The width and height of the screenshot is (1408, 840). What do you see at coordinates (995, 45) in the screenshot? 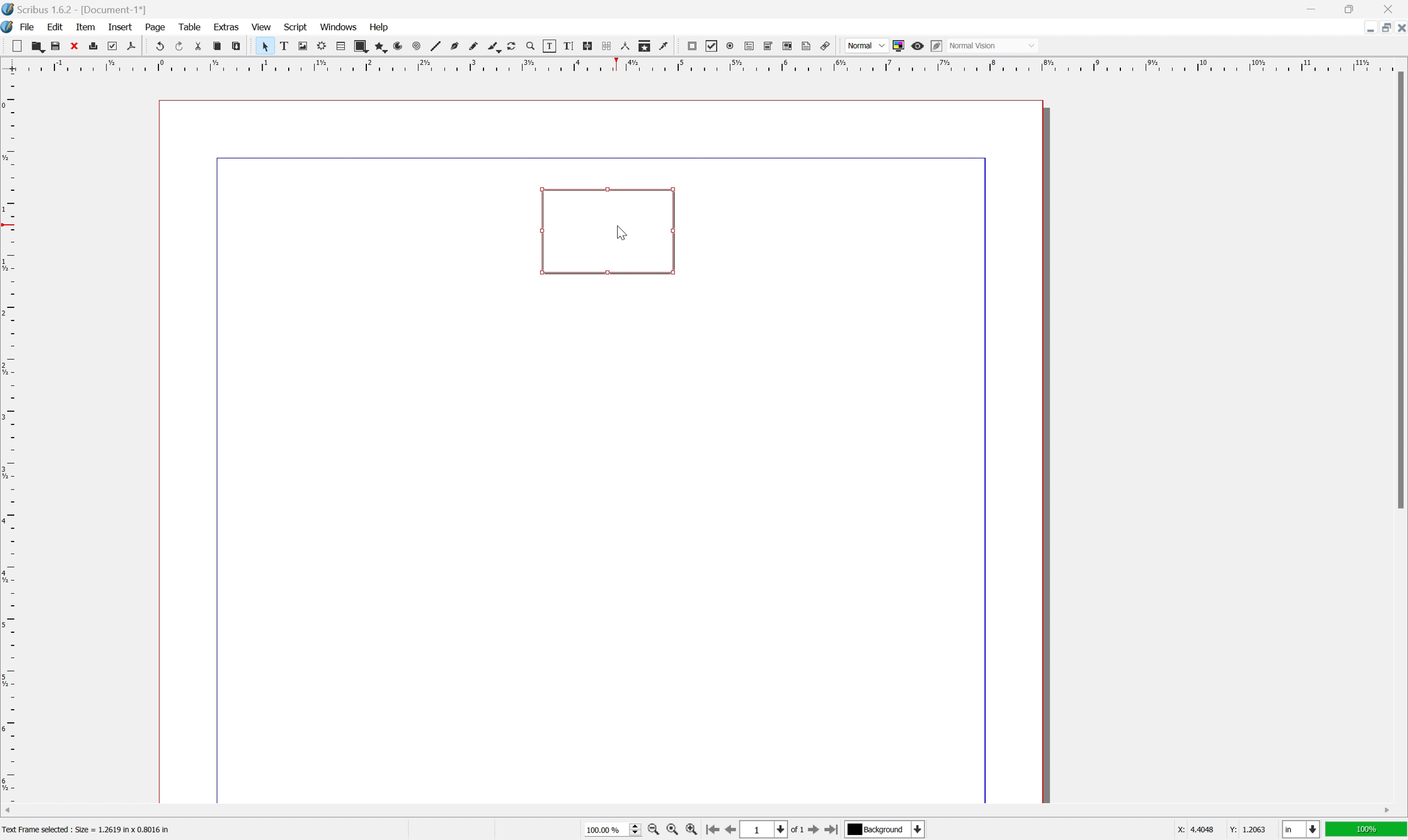
I see `Normal vision` at bounding box center [995, 45].